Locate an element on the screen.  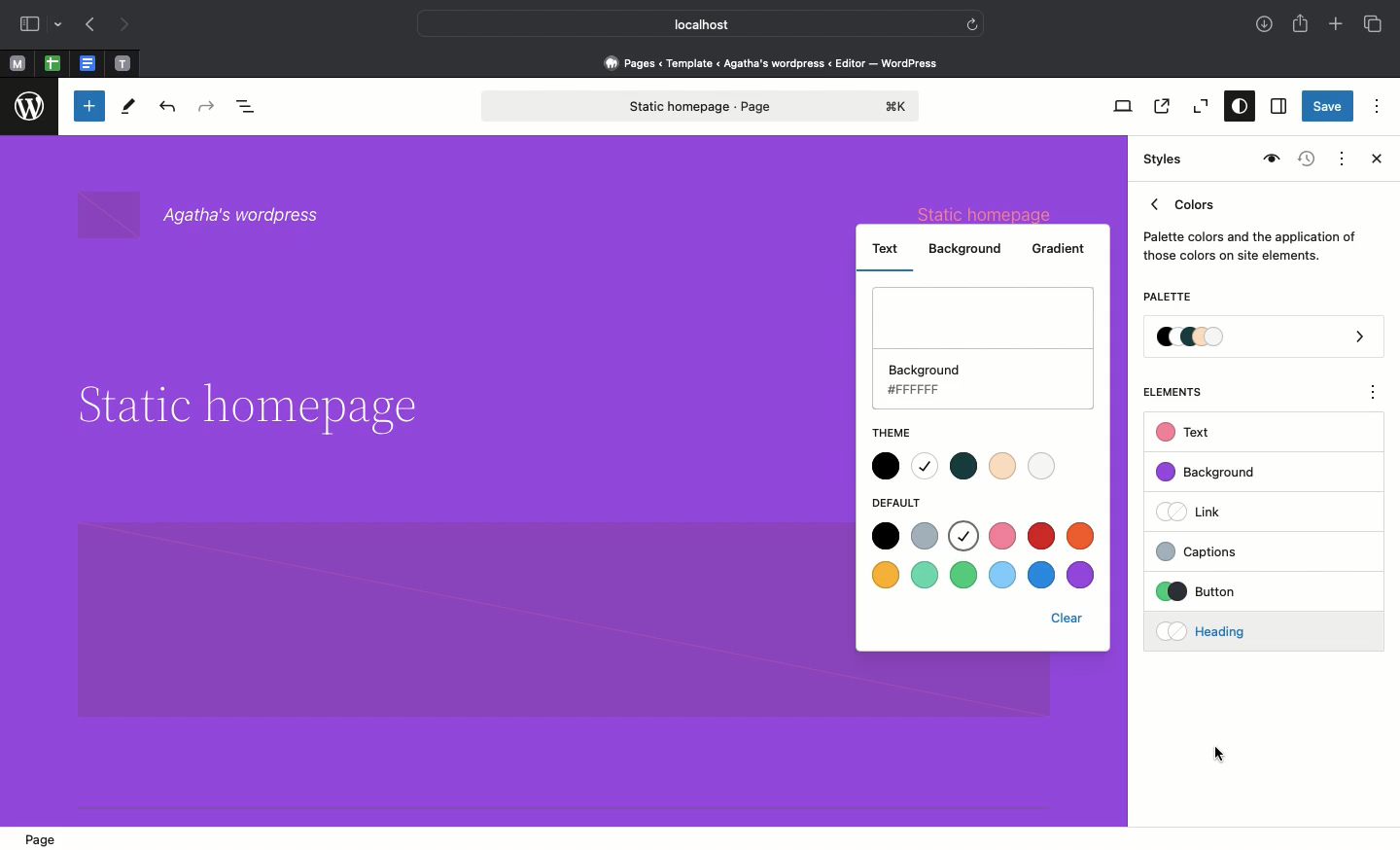
Next page is located at coordinates (124, 25).